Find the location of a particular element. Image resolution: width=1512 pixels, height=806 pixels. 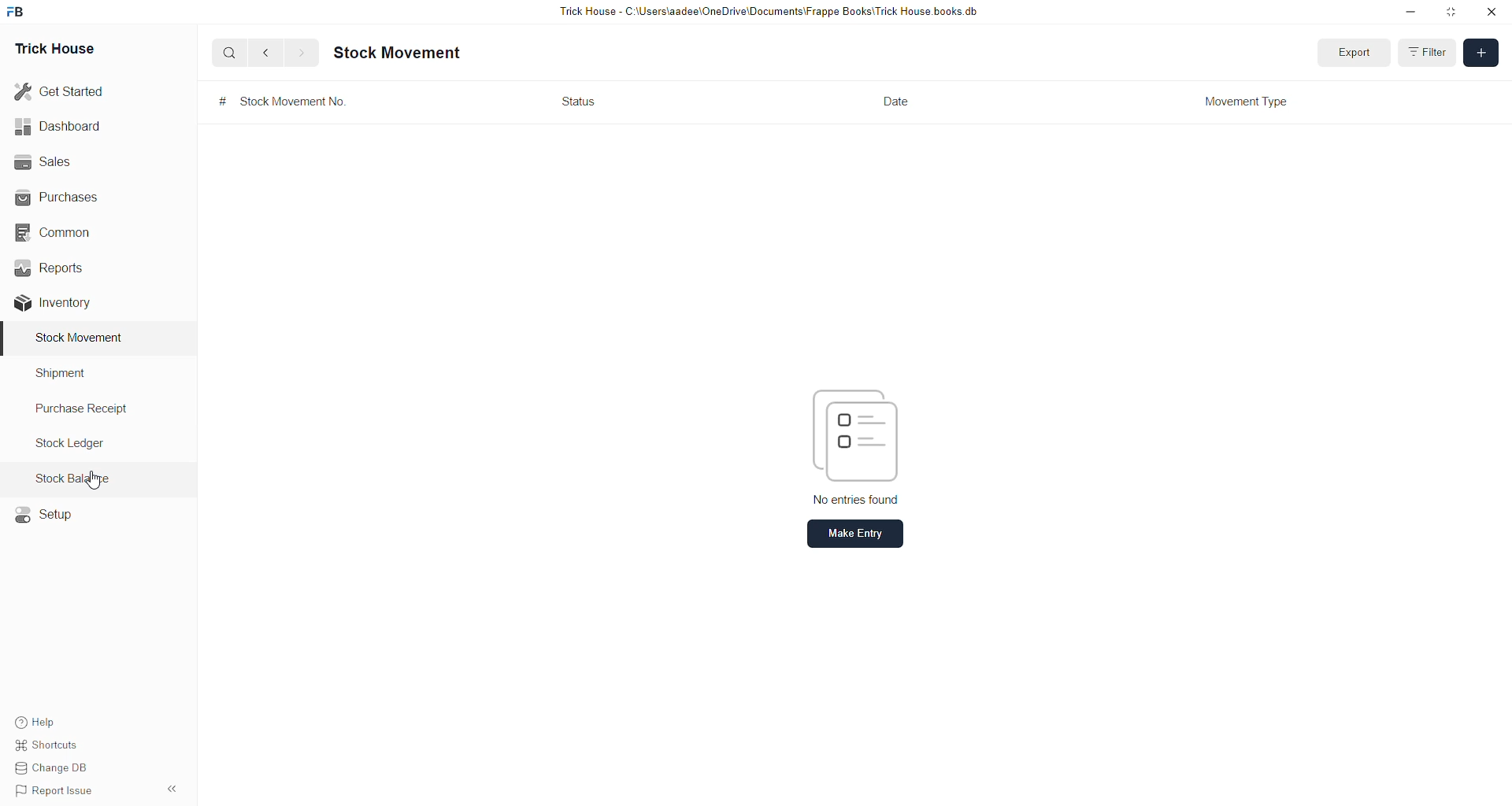

Close is located at coordinates (1495, 15).